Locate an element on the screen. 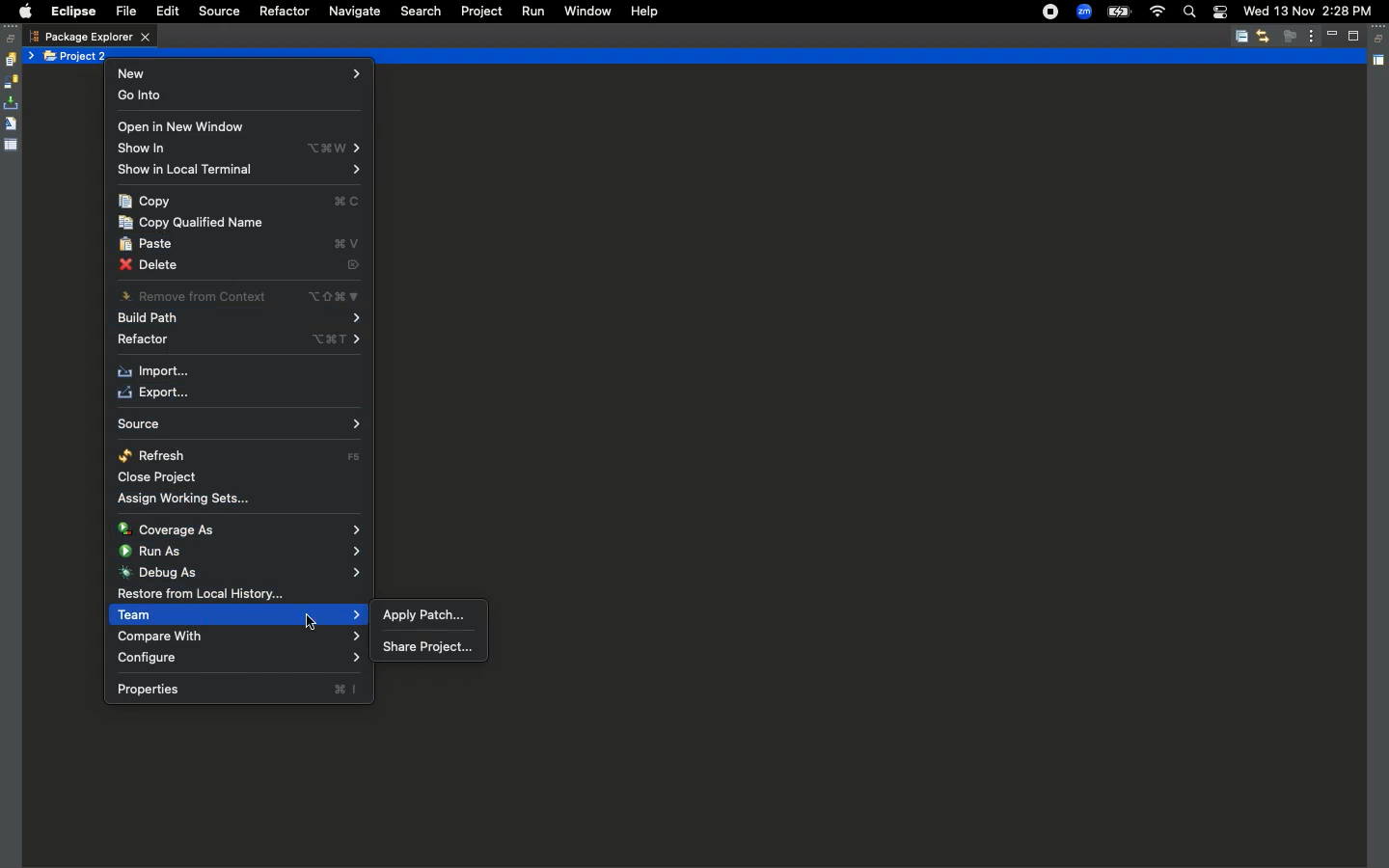 The height and width of the screenshot is (868, 1389). Git reflog is located at coordinates (11, 125).